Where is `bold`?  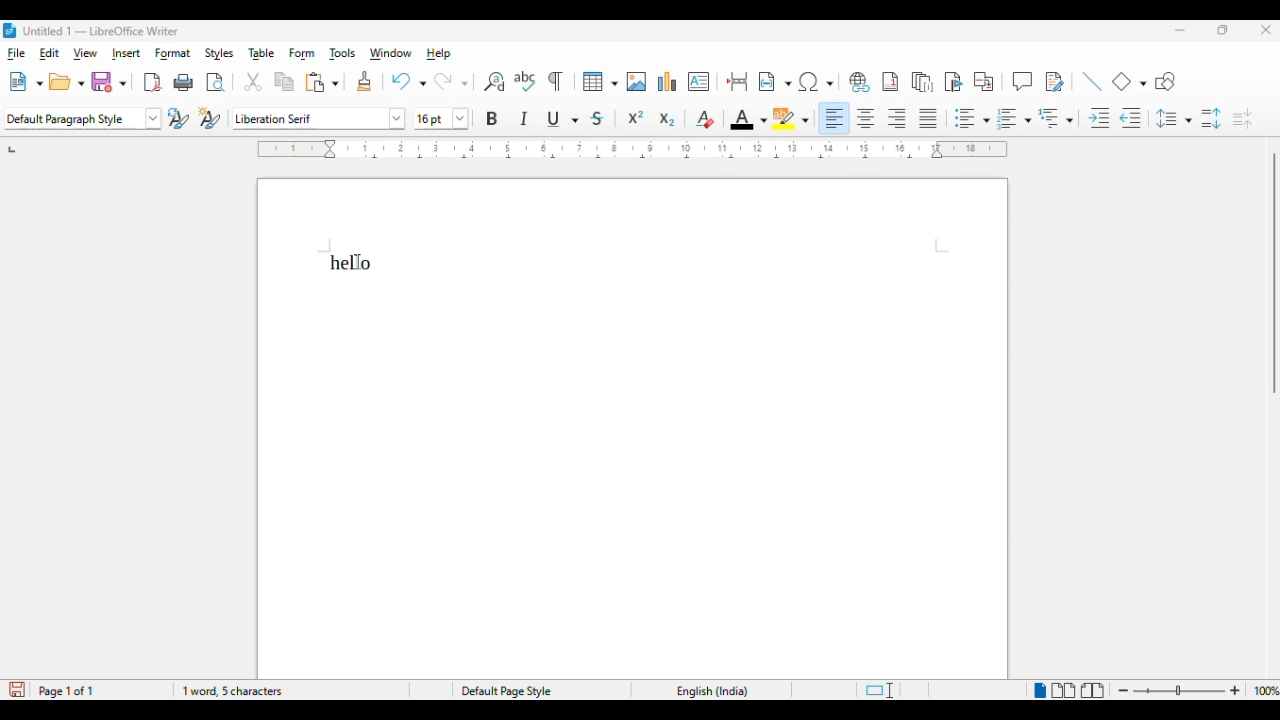
bold is located at coordinates (493, 118).